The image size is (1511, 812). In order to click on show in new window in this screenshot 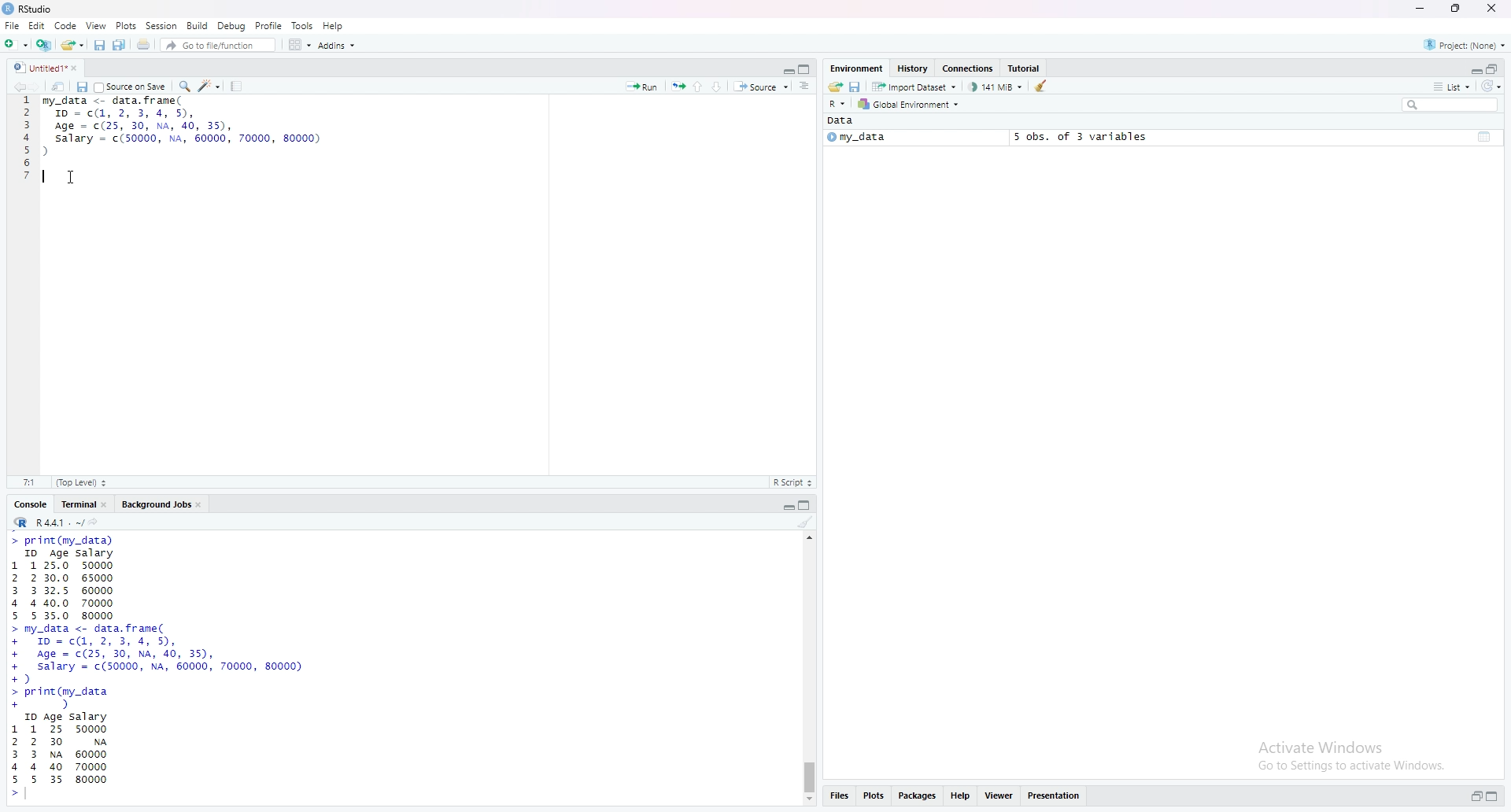, I will do `click(58, 87)`.